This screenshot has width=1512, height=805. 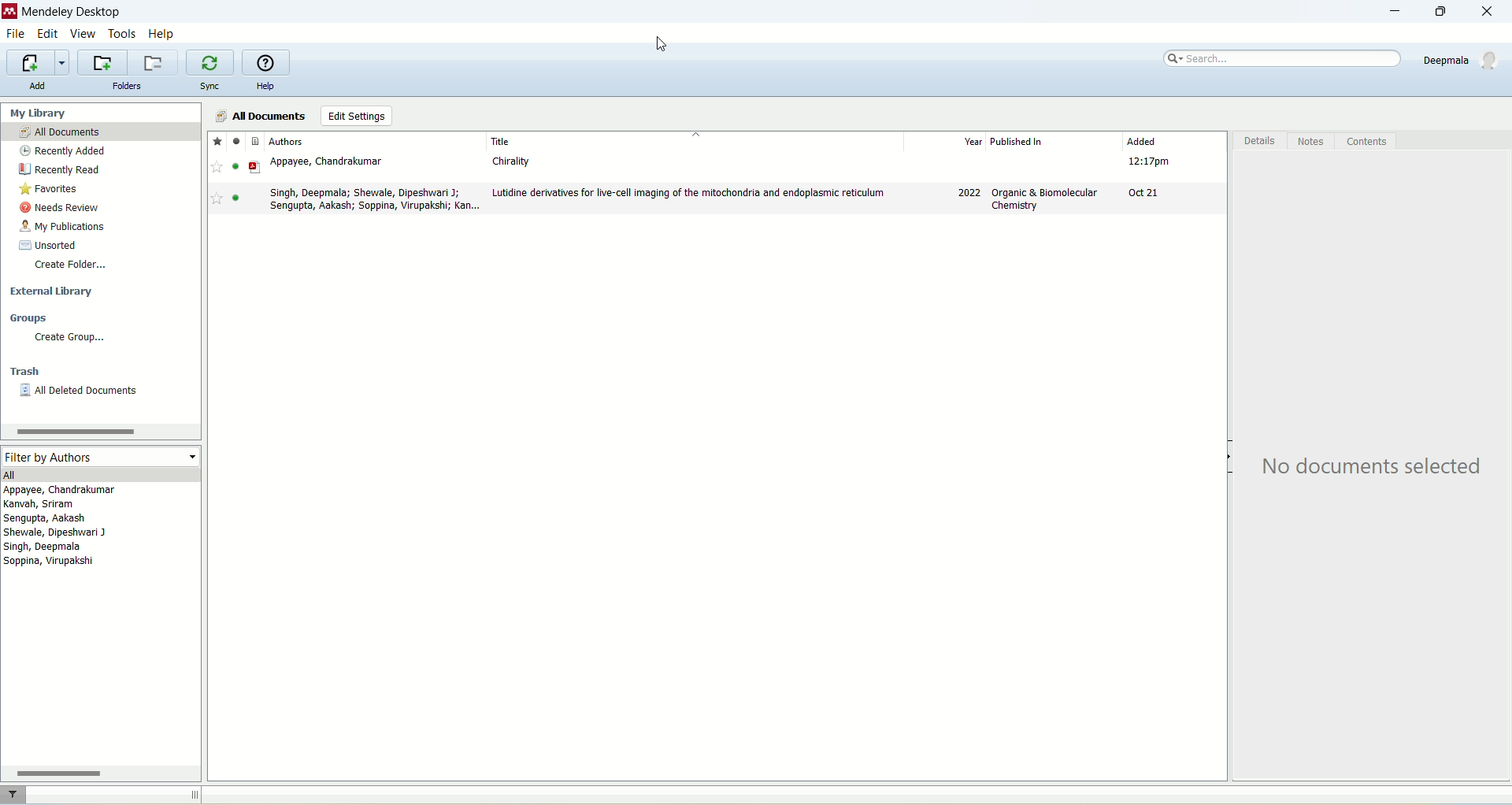 What do you see at coordinates (102, 63) in the screenshot?
I see `add a new folder` at bounding box center [102, 63].